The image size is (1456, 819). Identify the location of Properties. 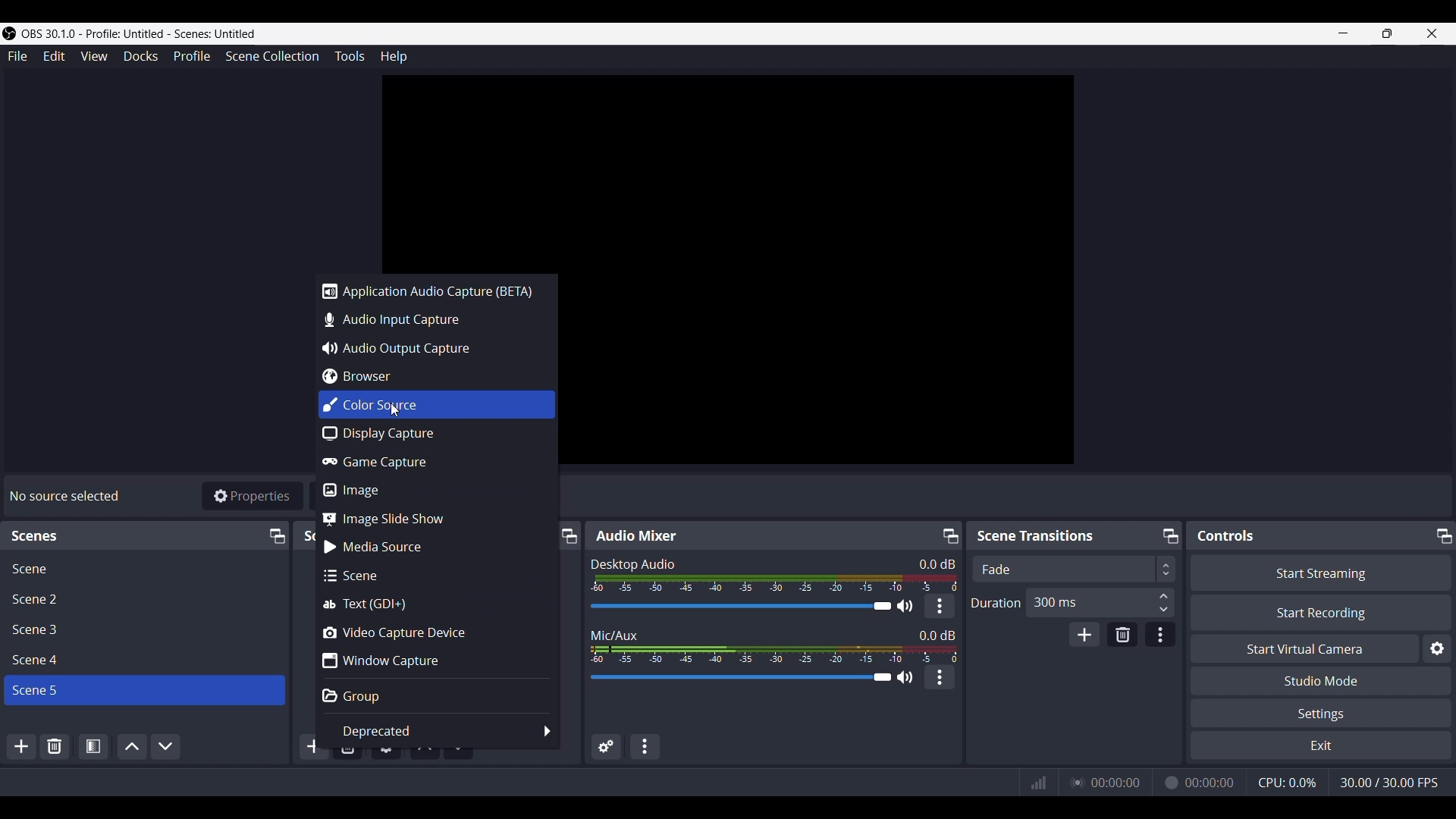
(253, 495).